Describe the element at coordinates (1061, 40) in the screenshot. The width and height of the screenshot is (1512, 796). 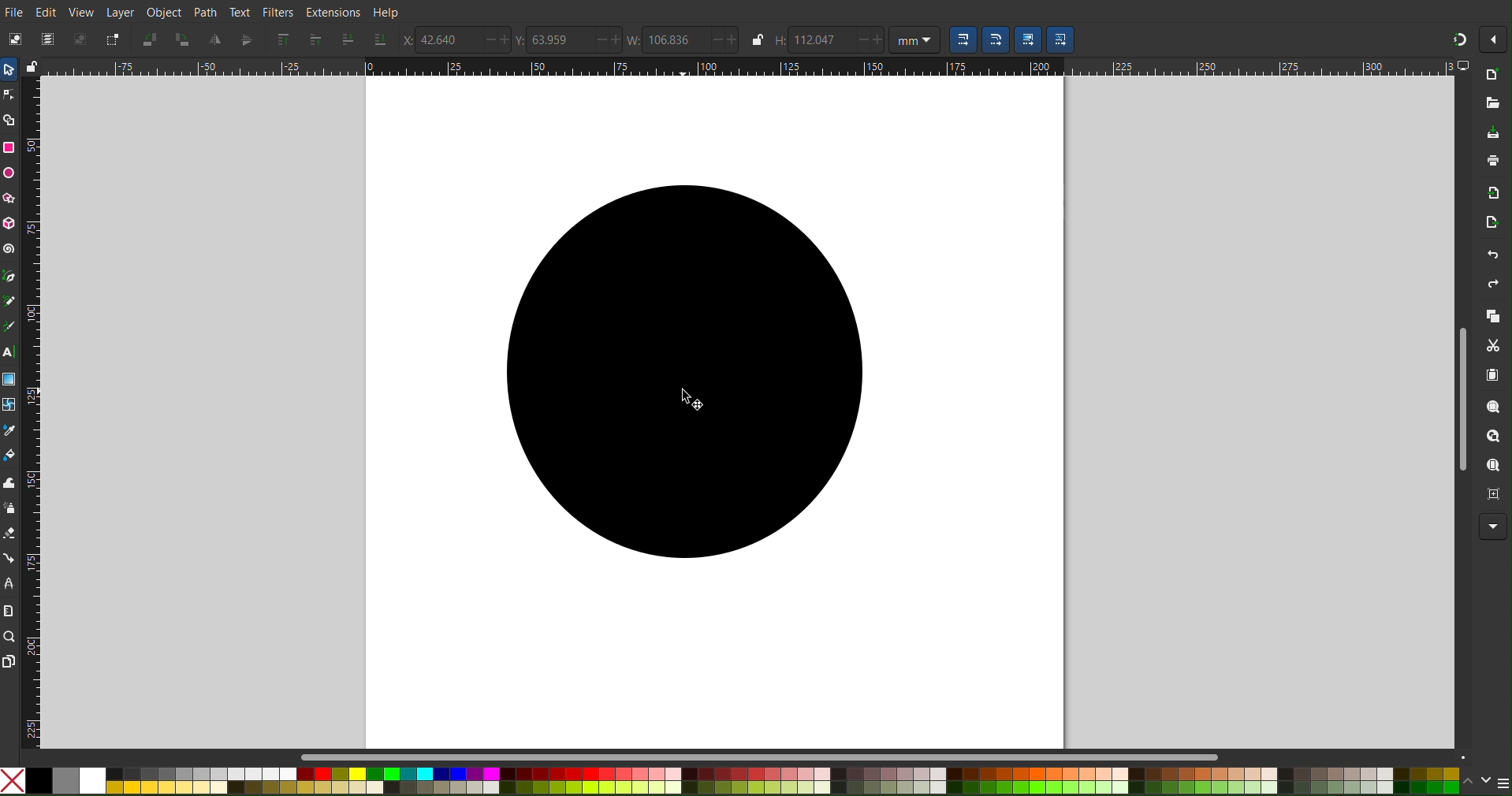
I see `Scaling Option 4` at that location.